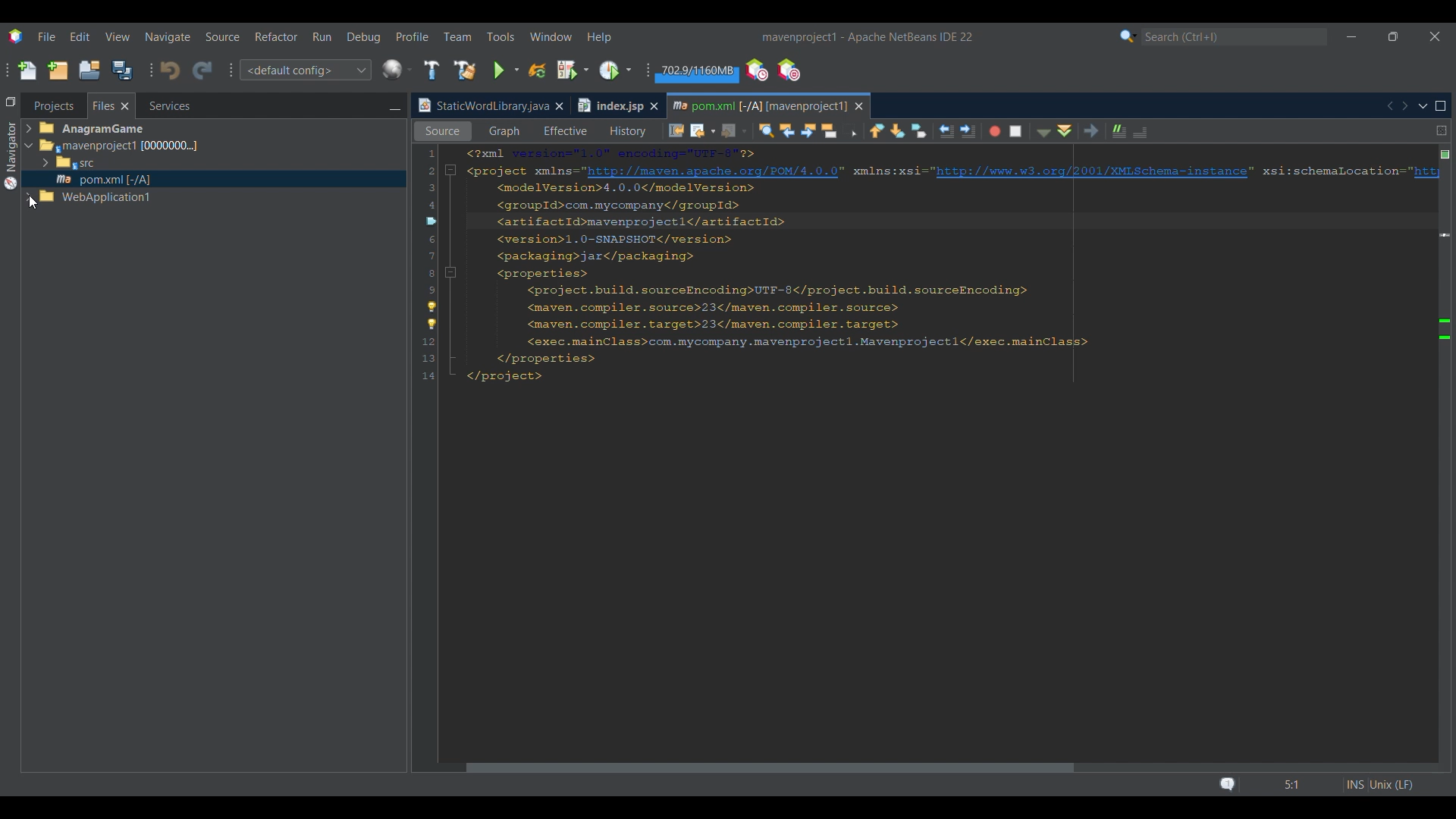  Describe the element at coordinates (431, 221) in the screenshot. I see `Indicates bookmarked` at that location.